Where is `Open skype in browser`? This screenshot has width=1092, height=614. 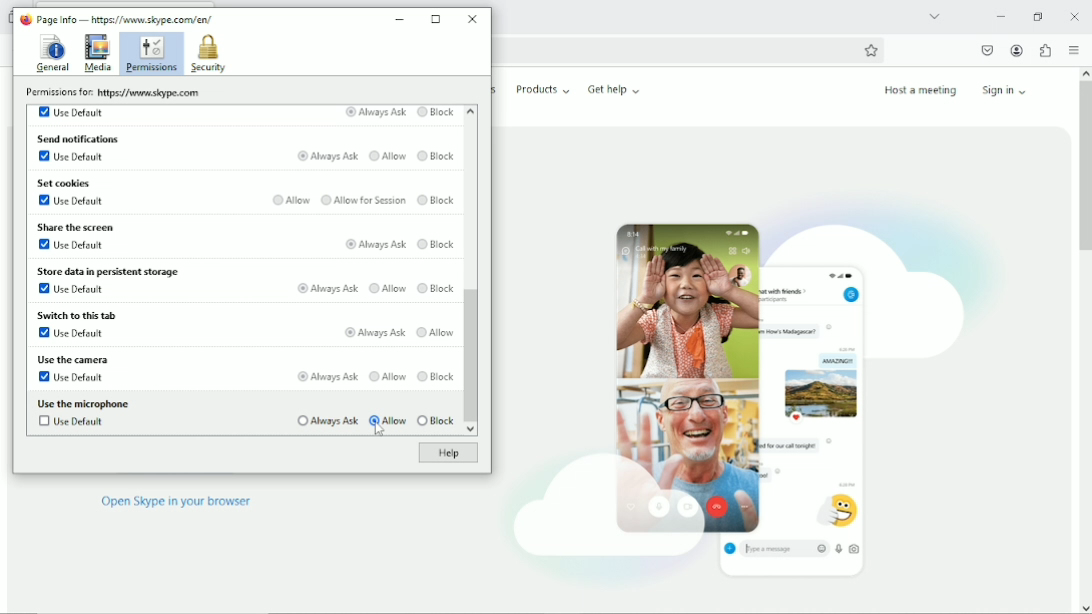 Open skype in browser is located at coordinates (176, 502).